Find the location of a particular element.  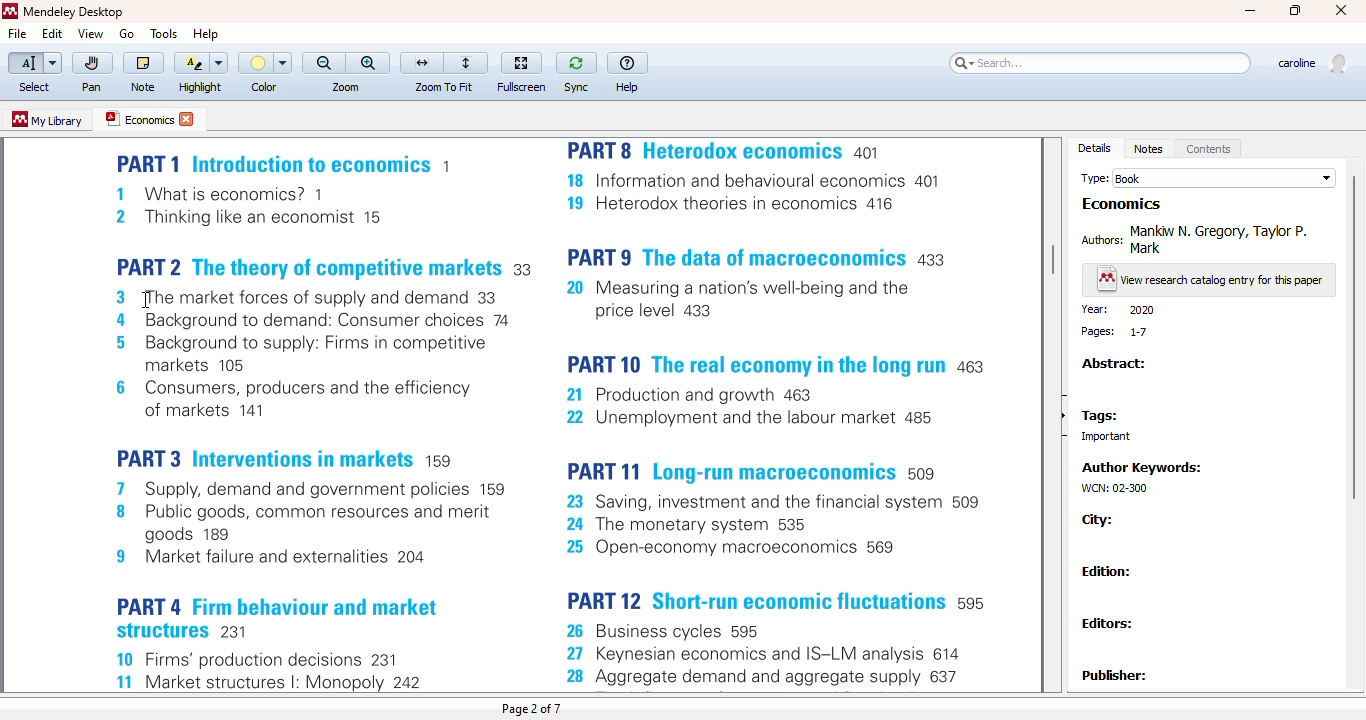

page 2 of 7 is located at coordinates (533, 708).